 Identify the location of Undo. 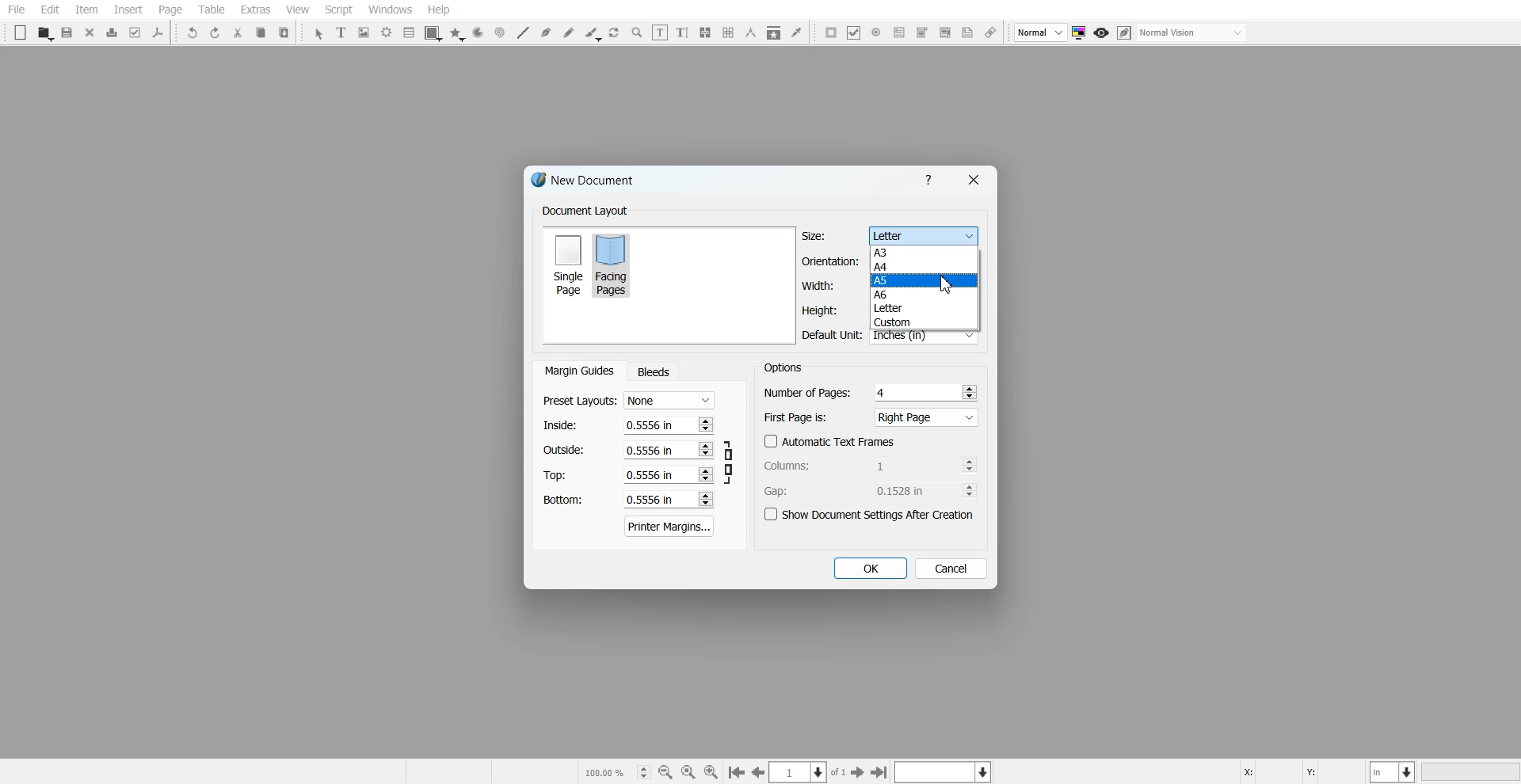
(193, 32).